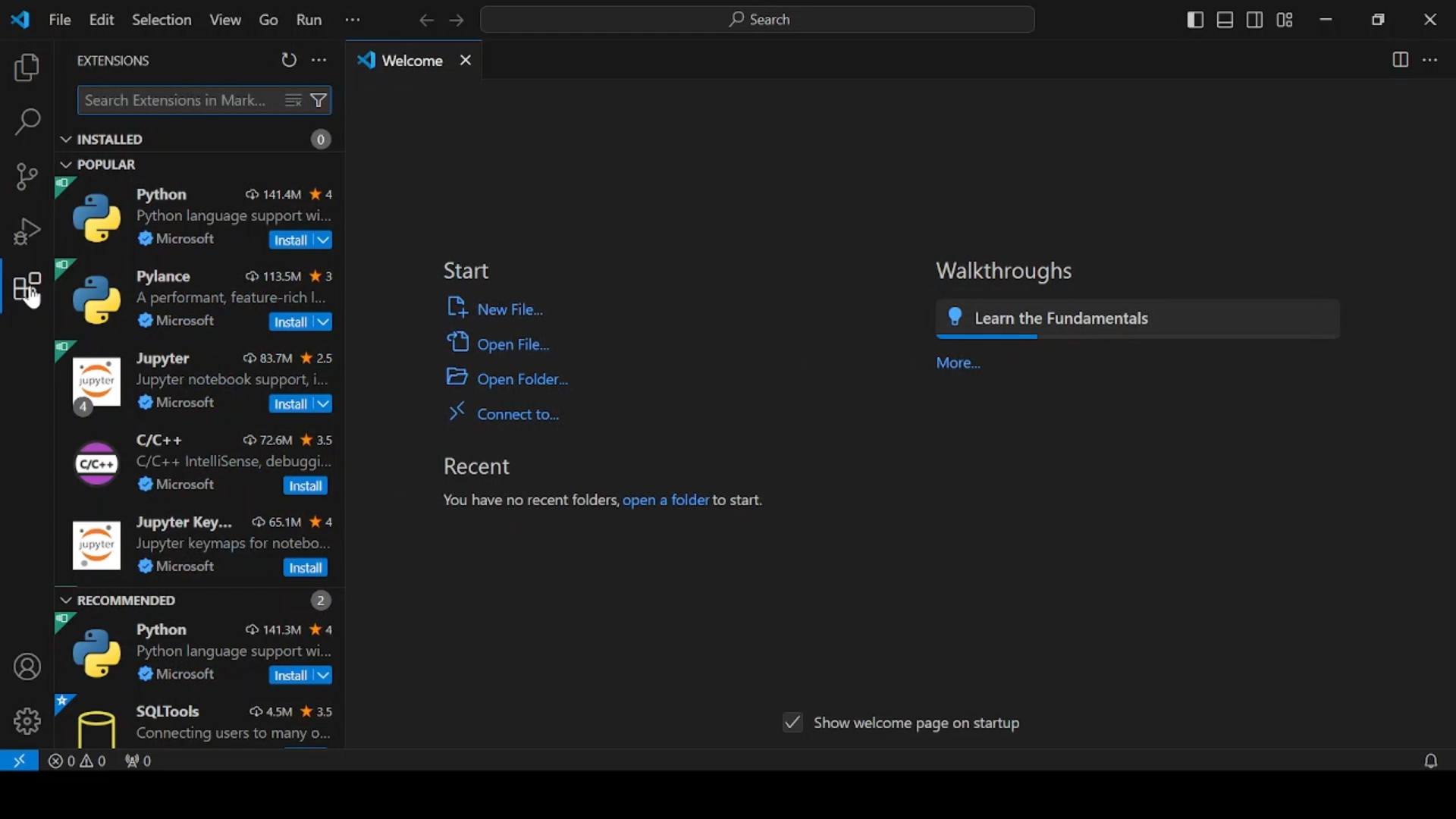  What do you see at coordinates (147, 761) in the screenshot?
I see `no ports forwarded` at bounding box center [147, 761].